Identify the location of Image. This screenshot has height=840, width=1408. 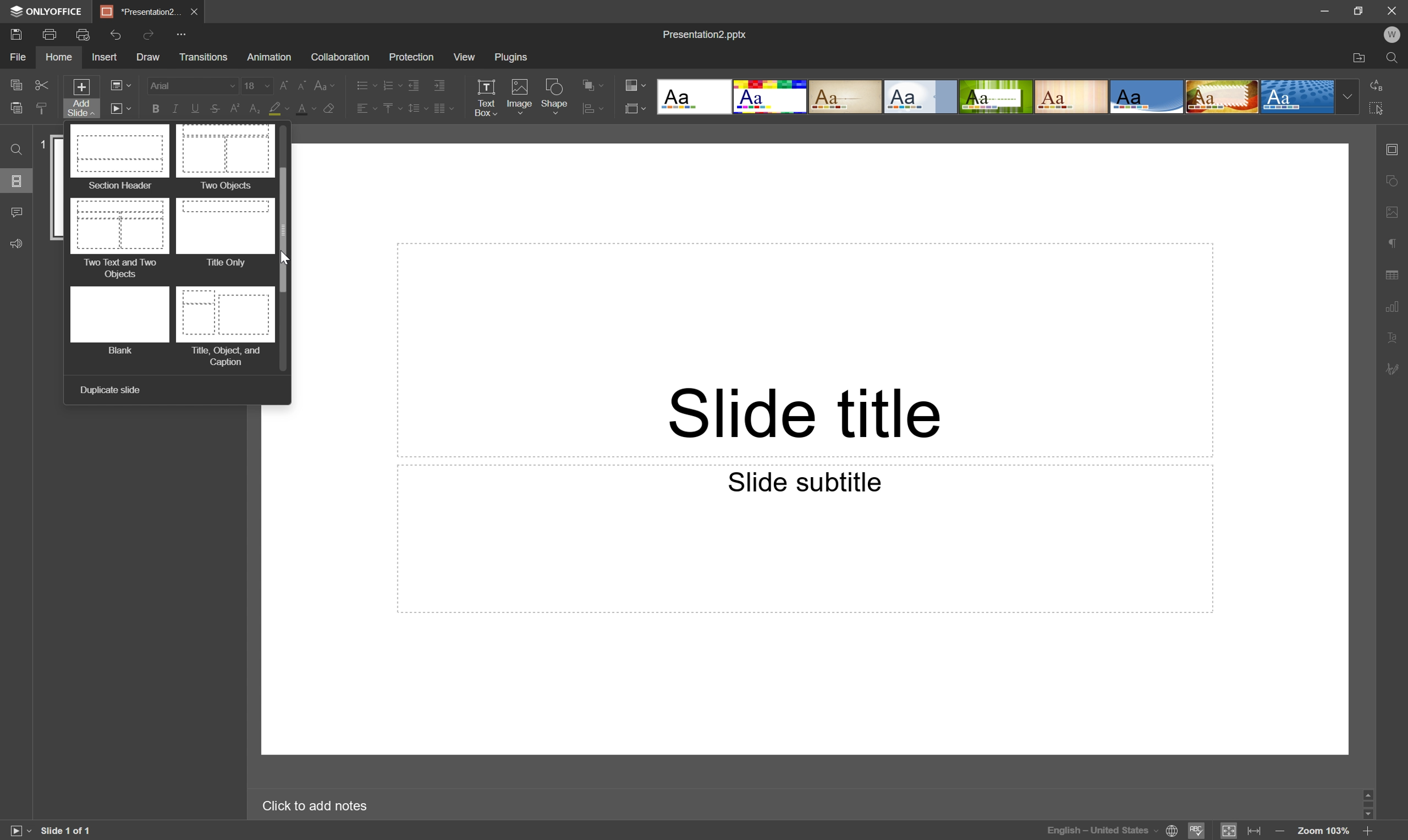
(519, 97).